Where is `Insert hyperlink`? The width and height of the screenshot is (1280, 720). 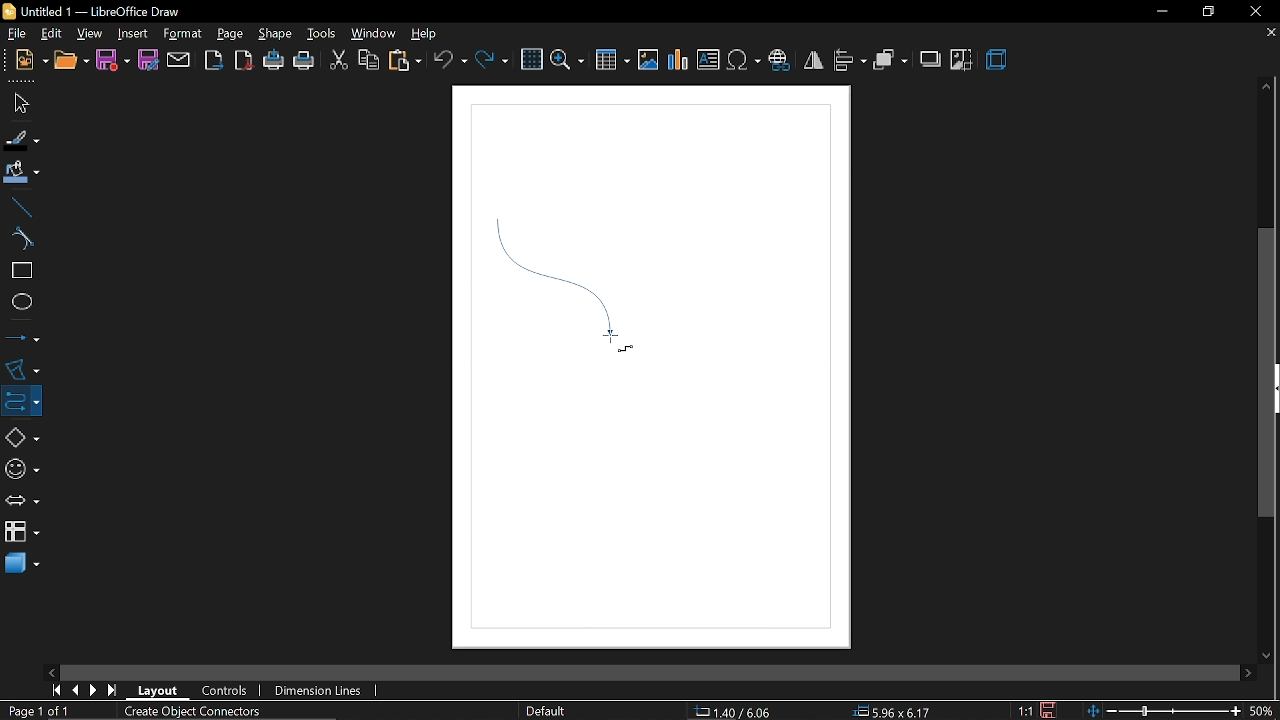 Insert hyperlink is located at coordinates (779, 62).